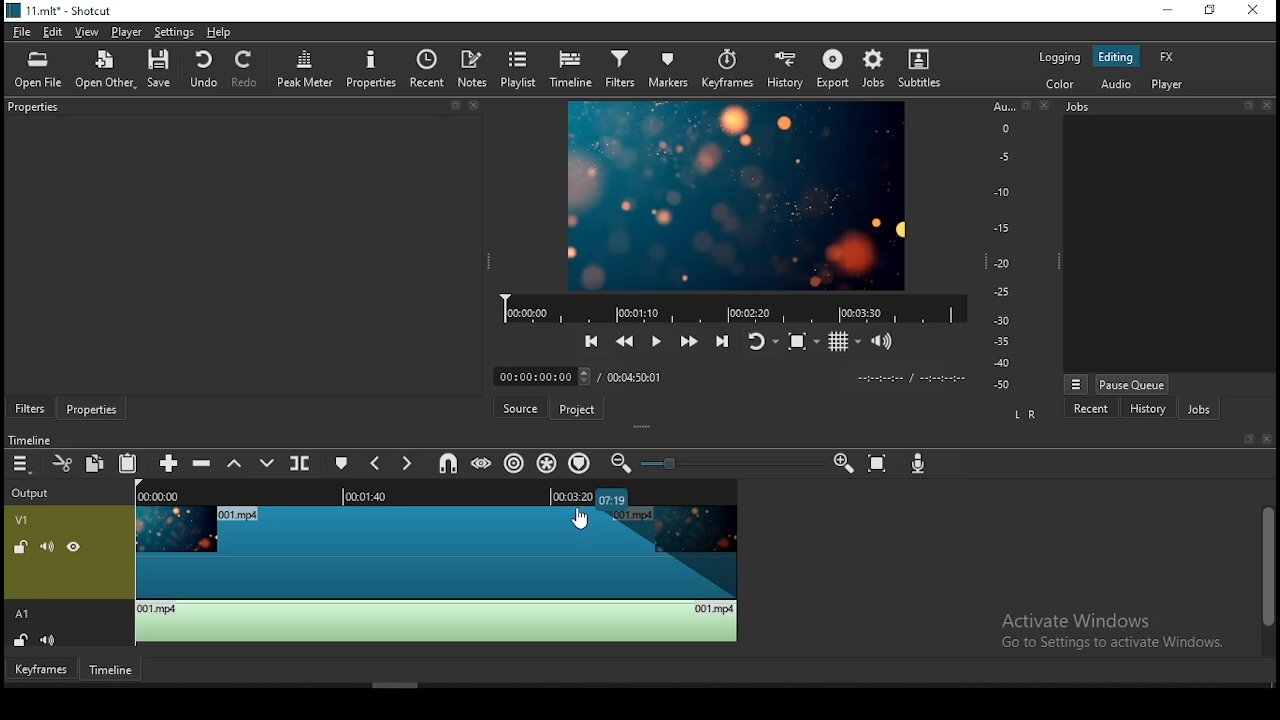 This screenshot has height=720, width=1280. Describe the element at coordinates (410, 462) in the screenshot. I see `next marker` at that location.